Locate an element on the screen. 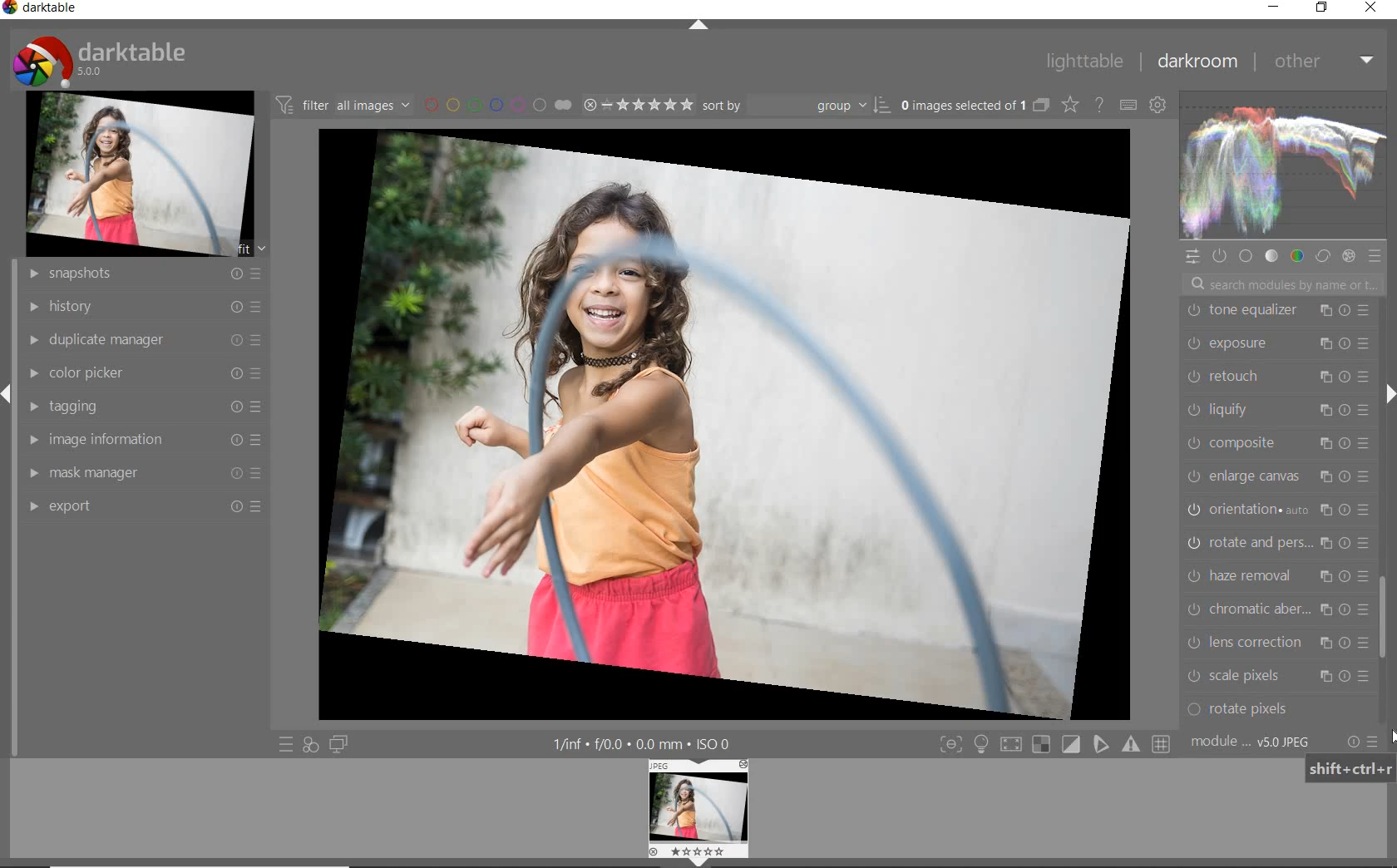 The image size is (1397, 868). scale pixels is located at coordinates (1277, 677).